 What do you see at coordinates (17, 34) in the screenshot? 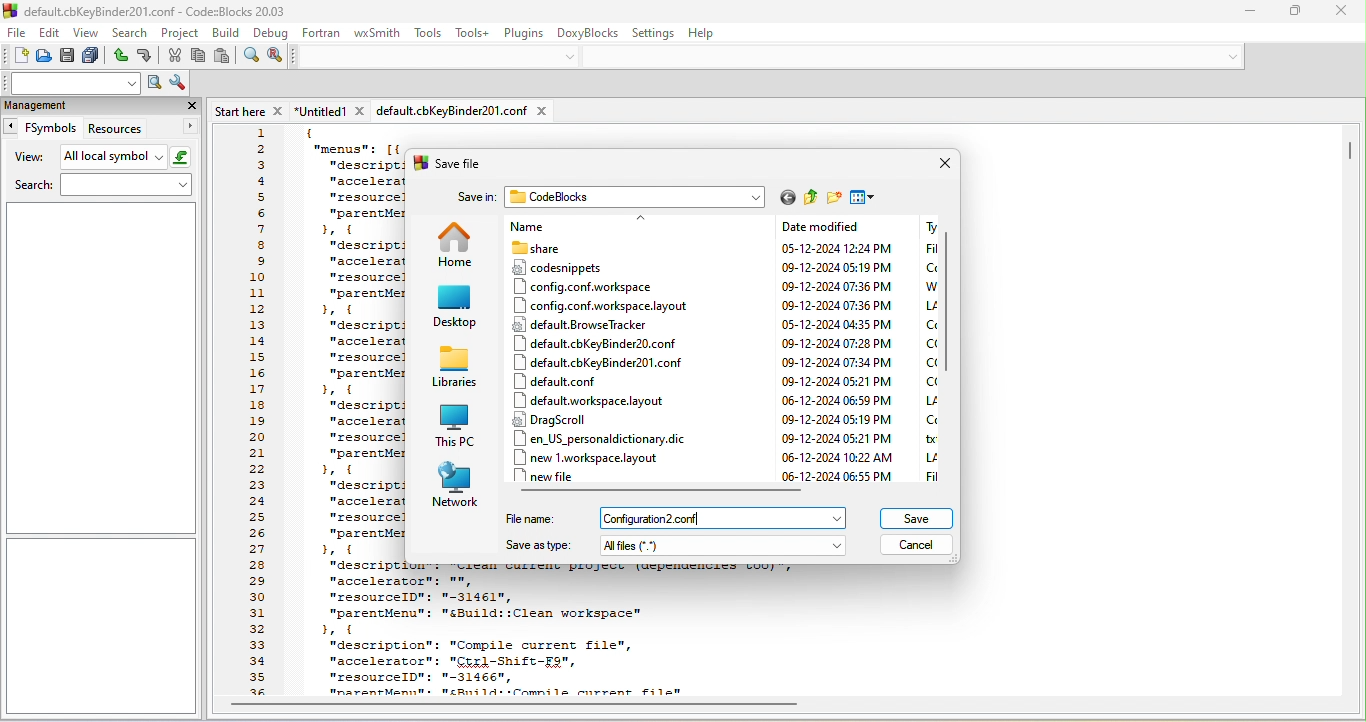
I see `file` at bounding box center [17, 34].